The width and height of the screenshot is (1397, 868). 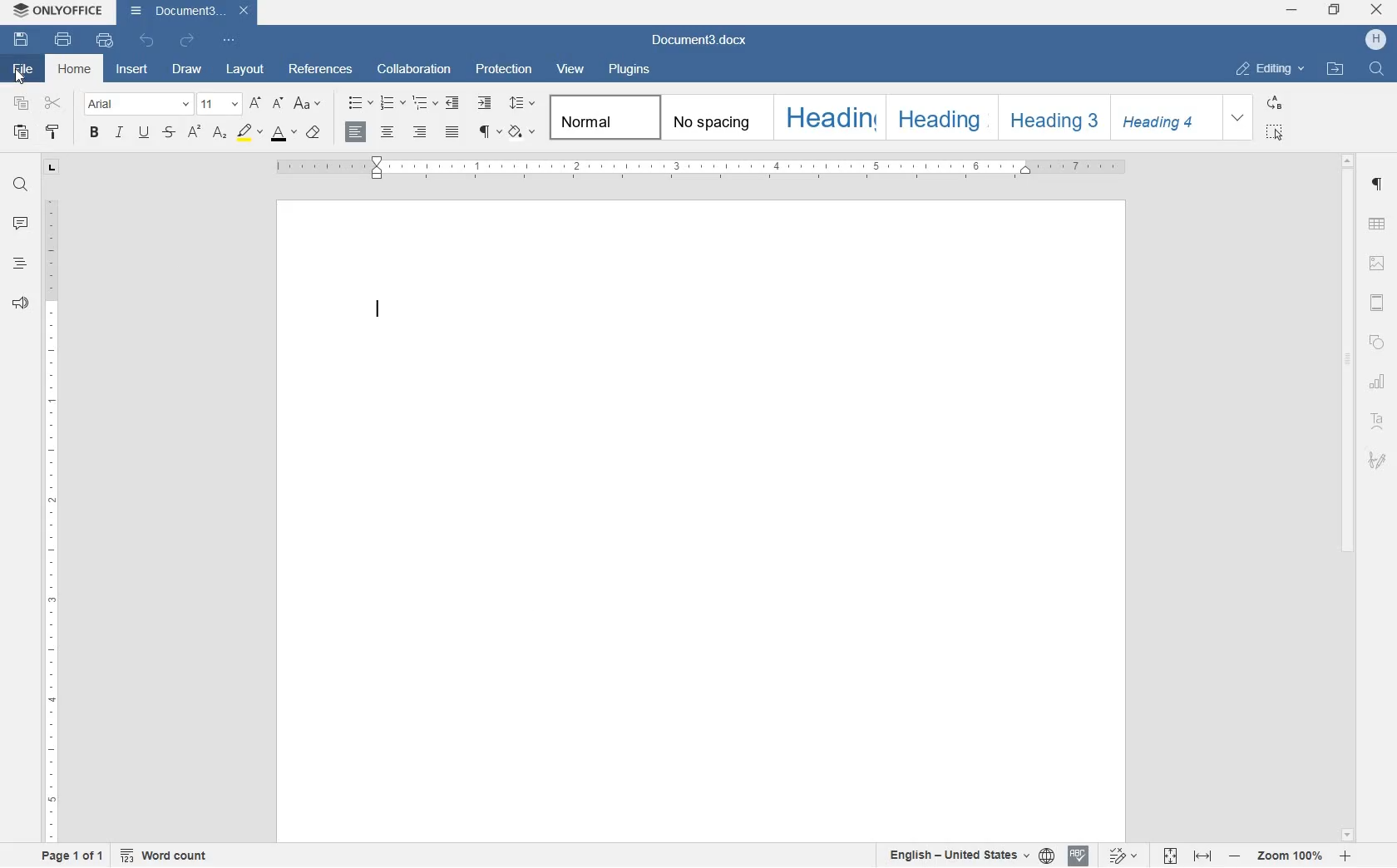 I want to click on decrement font size, so click(x=278, y=103).